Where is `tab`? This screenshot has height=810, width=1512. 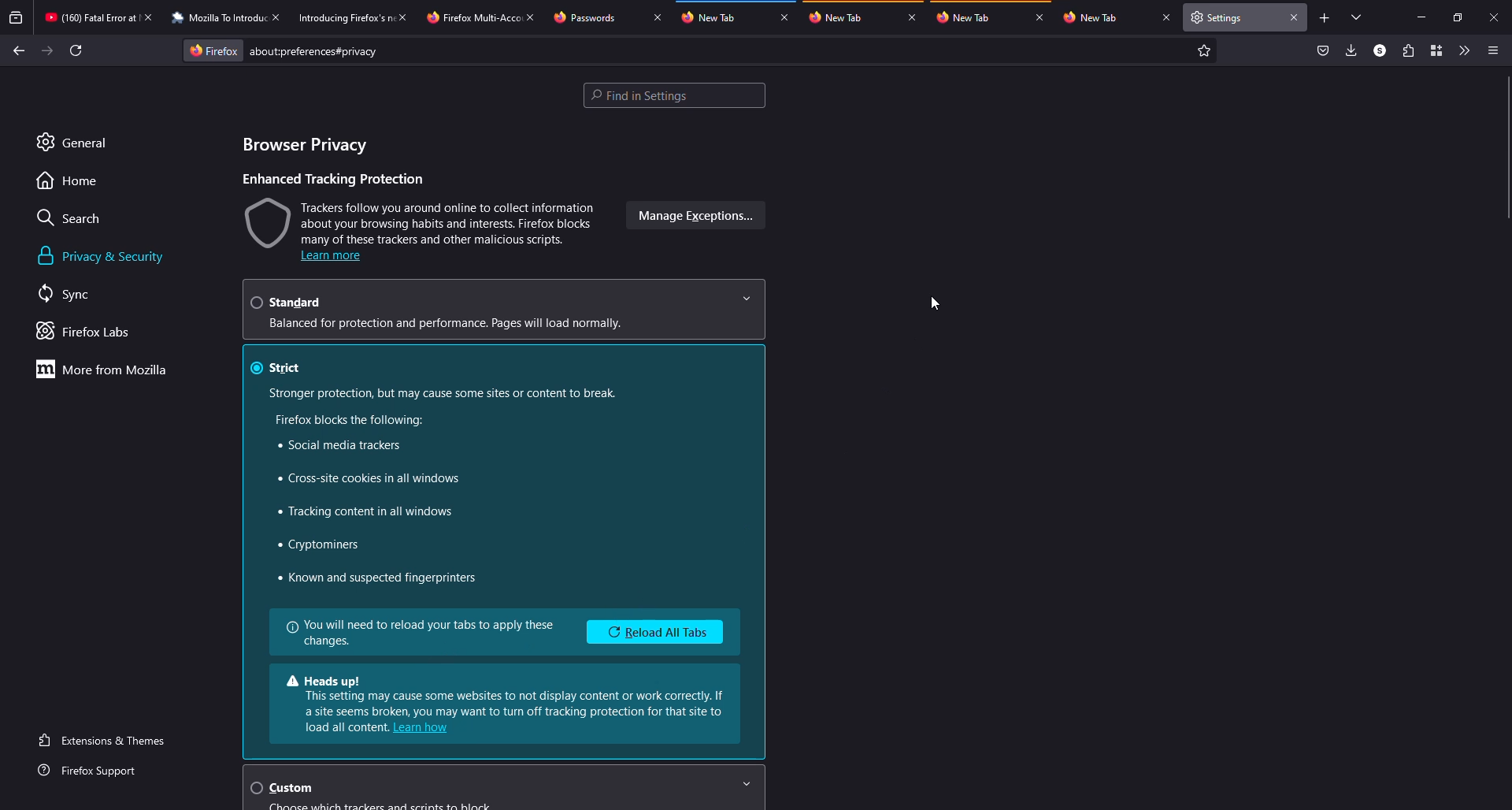
tab is located at coordinates (584, 17).